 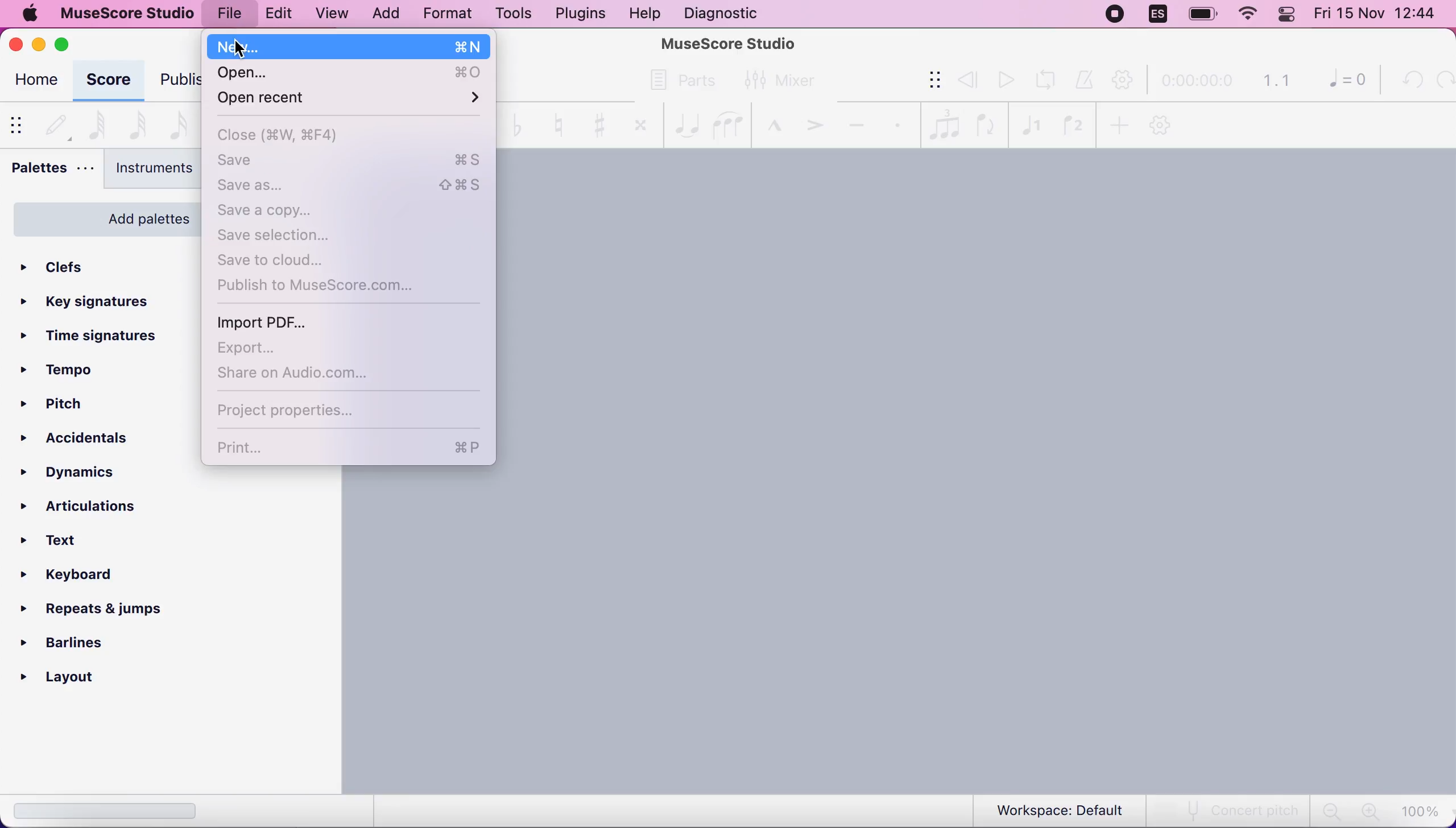 I want to click on tools, so click(x=508, y=14).